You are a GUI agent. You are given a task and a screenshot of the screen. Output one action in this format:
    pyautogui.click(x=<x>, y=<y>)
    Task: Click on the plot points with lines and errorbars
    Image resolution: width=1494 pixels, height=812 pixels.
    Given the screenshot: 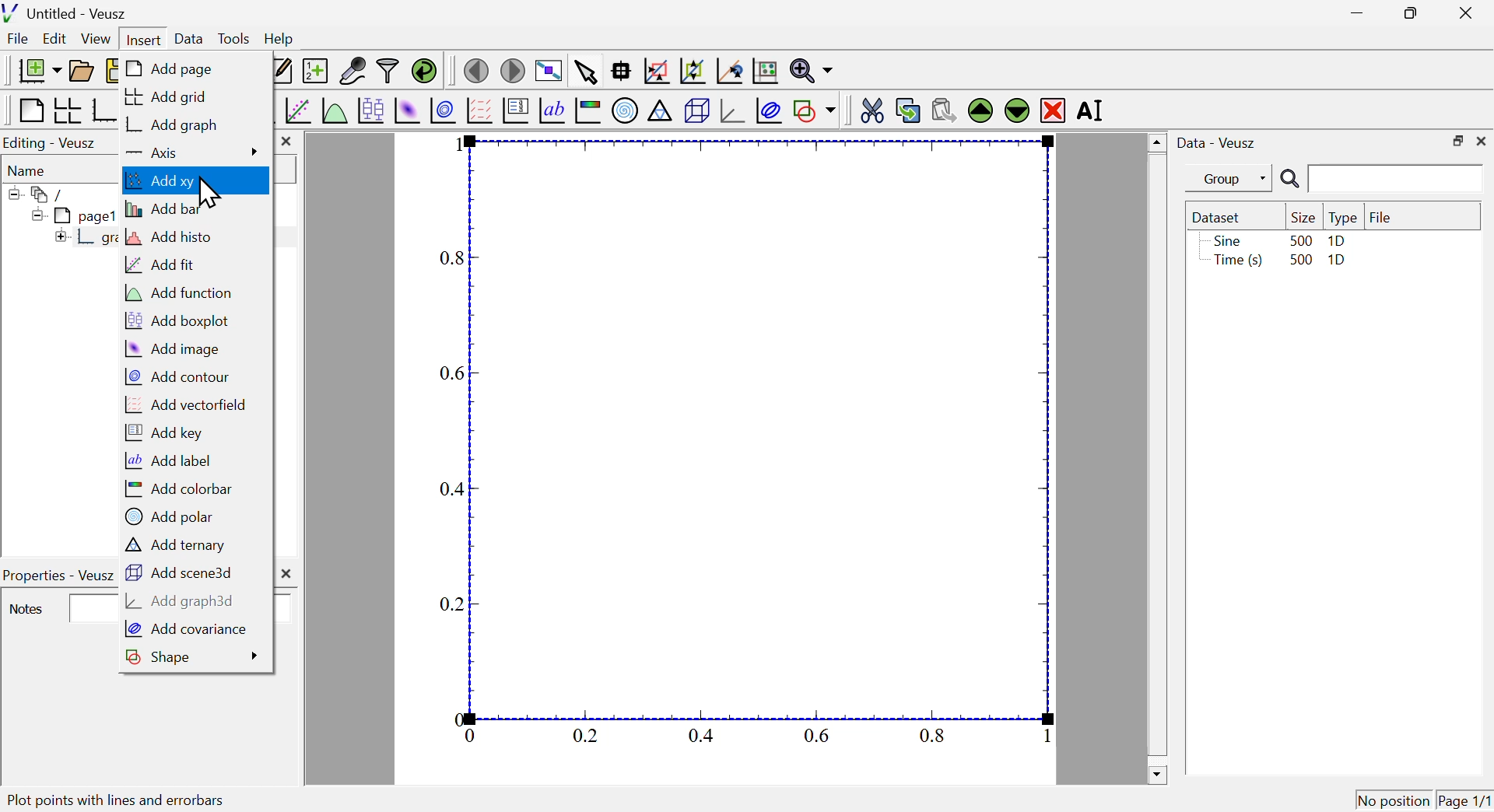 What is the action you would take?
    pyautogui.click(x=137, y=799)
    